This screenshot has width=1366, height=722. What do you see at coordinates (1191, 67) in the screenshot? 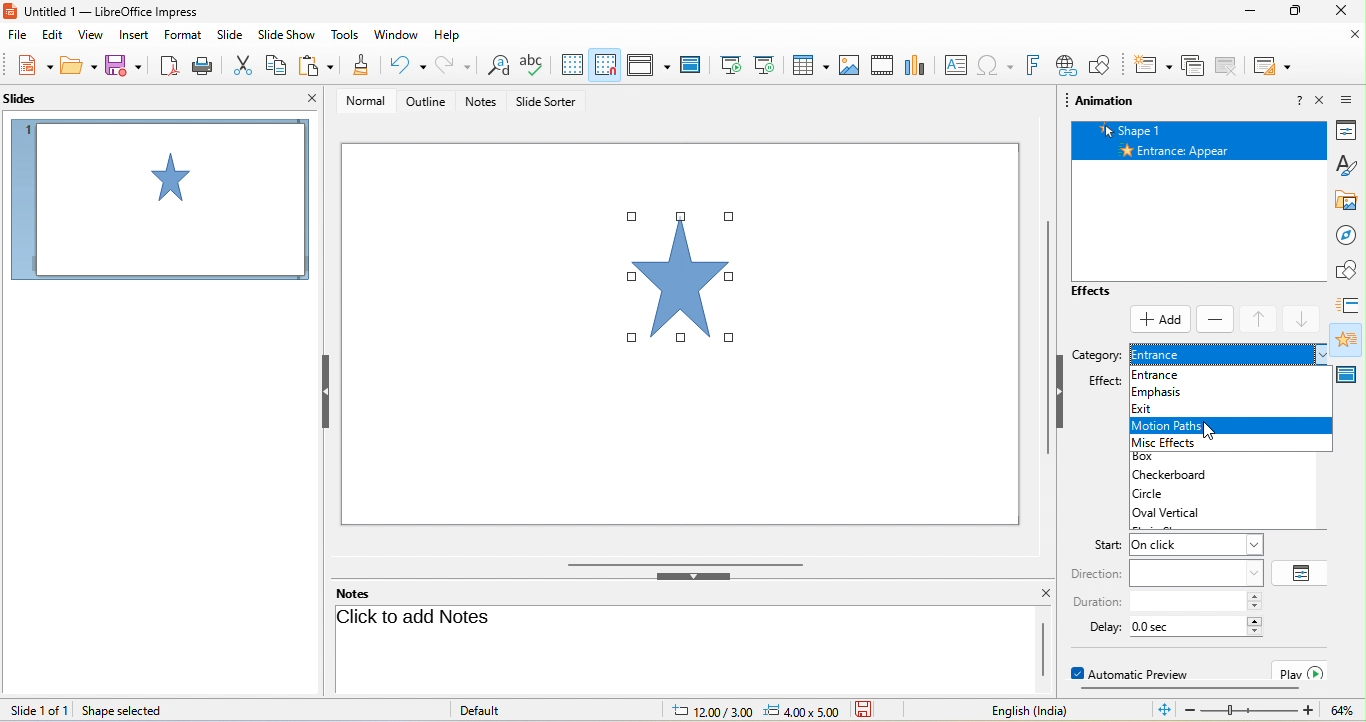
I see `delete slide` at bounding box center [1191, 67].